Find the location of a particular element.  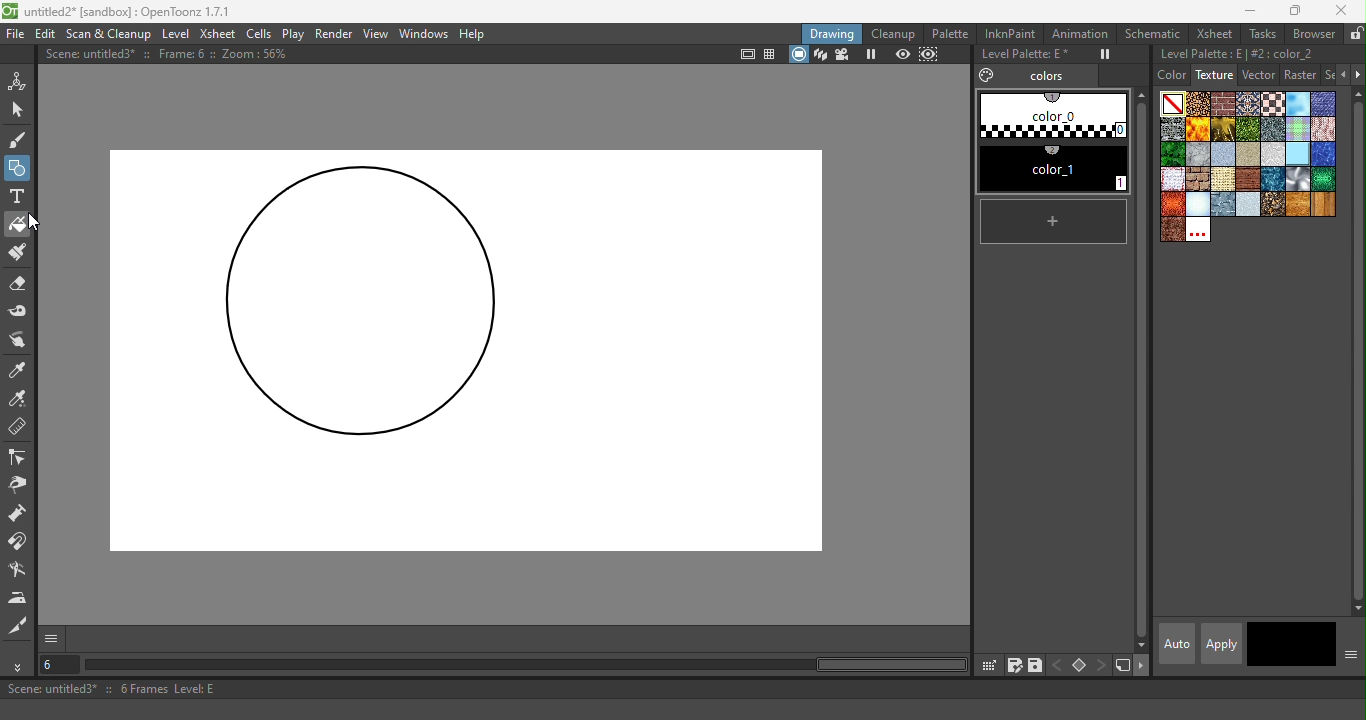

Level Palette: E is located at coordinates (1021, 55).